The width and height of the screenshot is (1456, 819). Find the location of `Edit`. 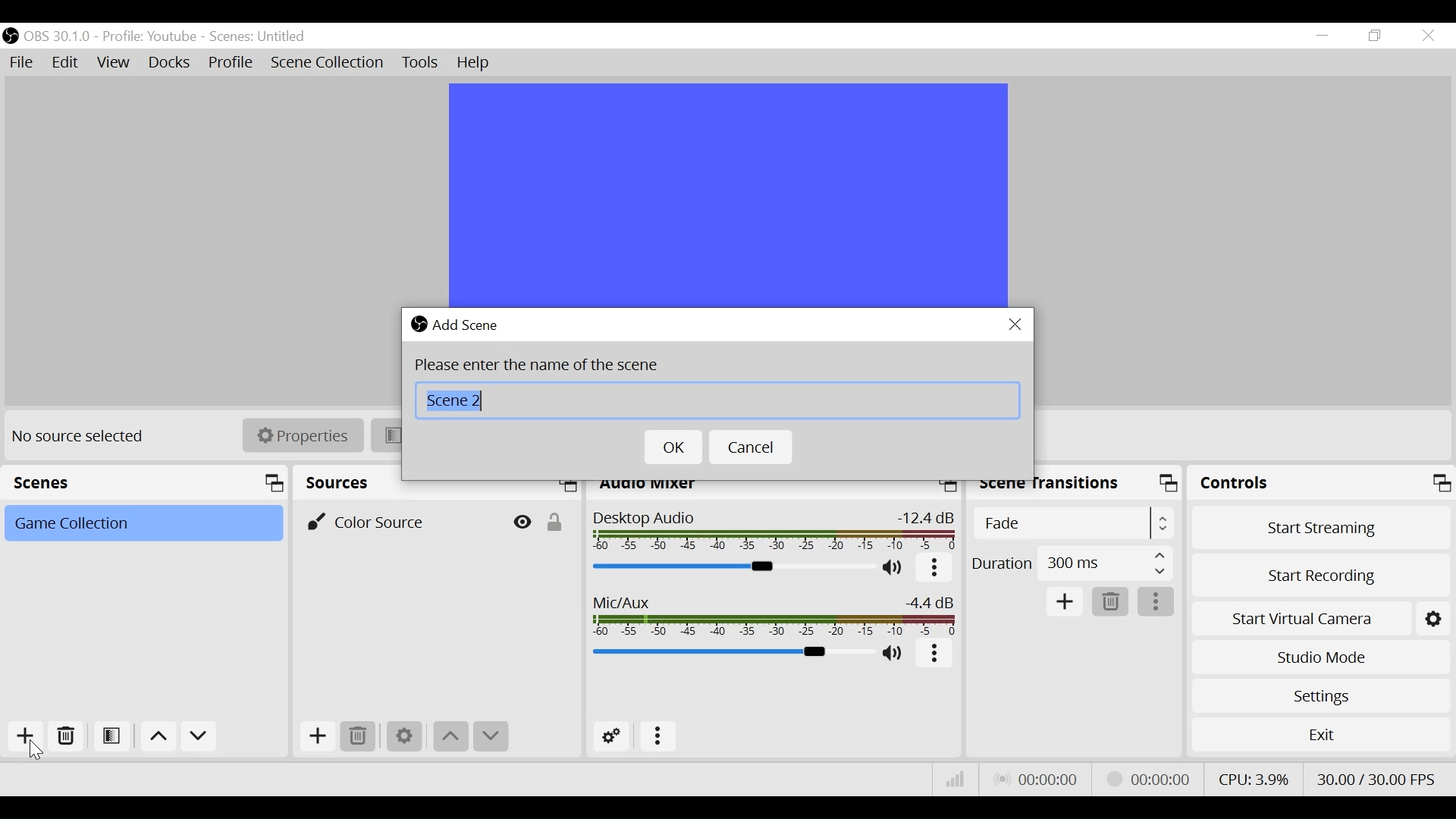

Edit is located at coordinates (67, 63).